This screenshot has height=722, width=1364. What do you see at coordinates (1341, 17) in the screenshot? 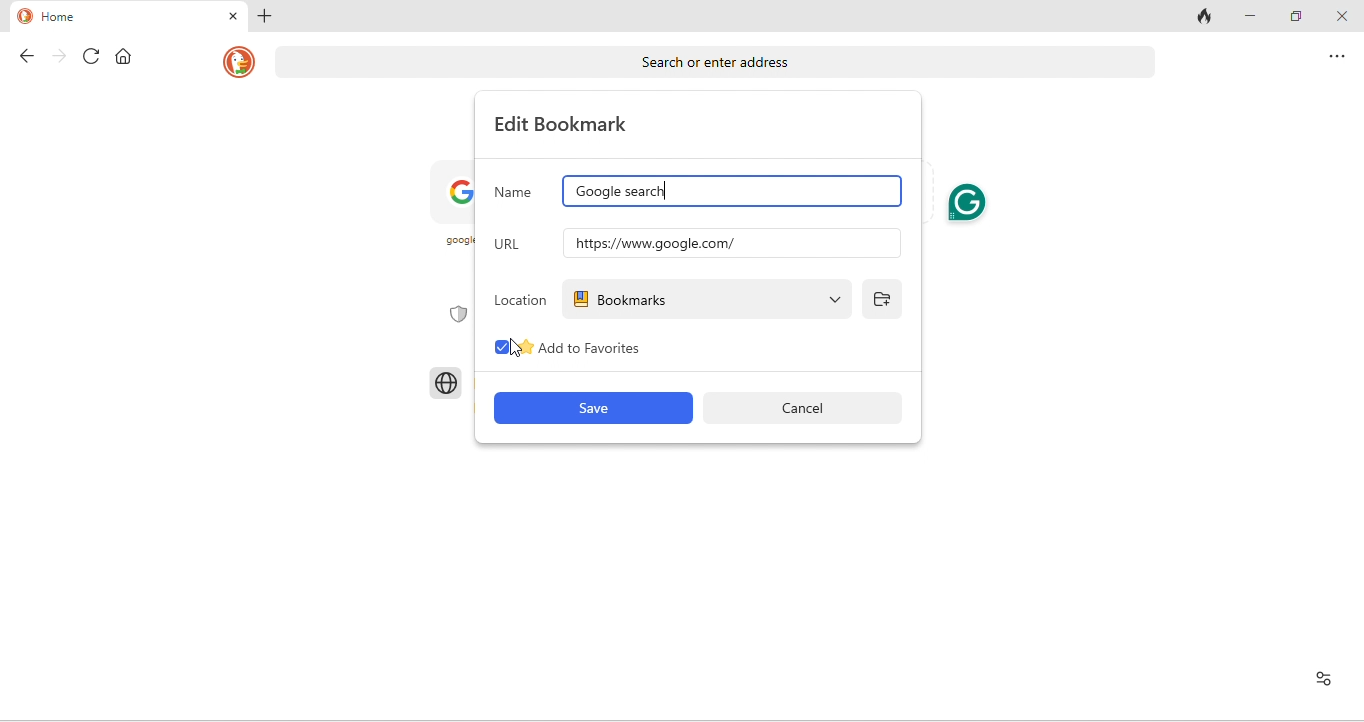
I see `close` at bounding box center [1341, 17].